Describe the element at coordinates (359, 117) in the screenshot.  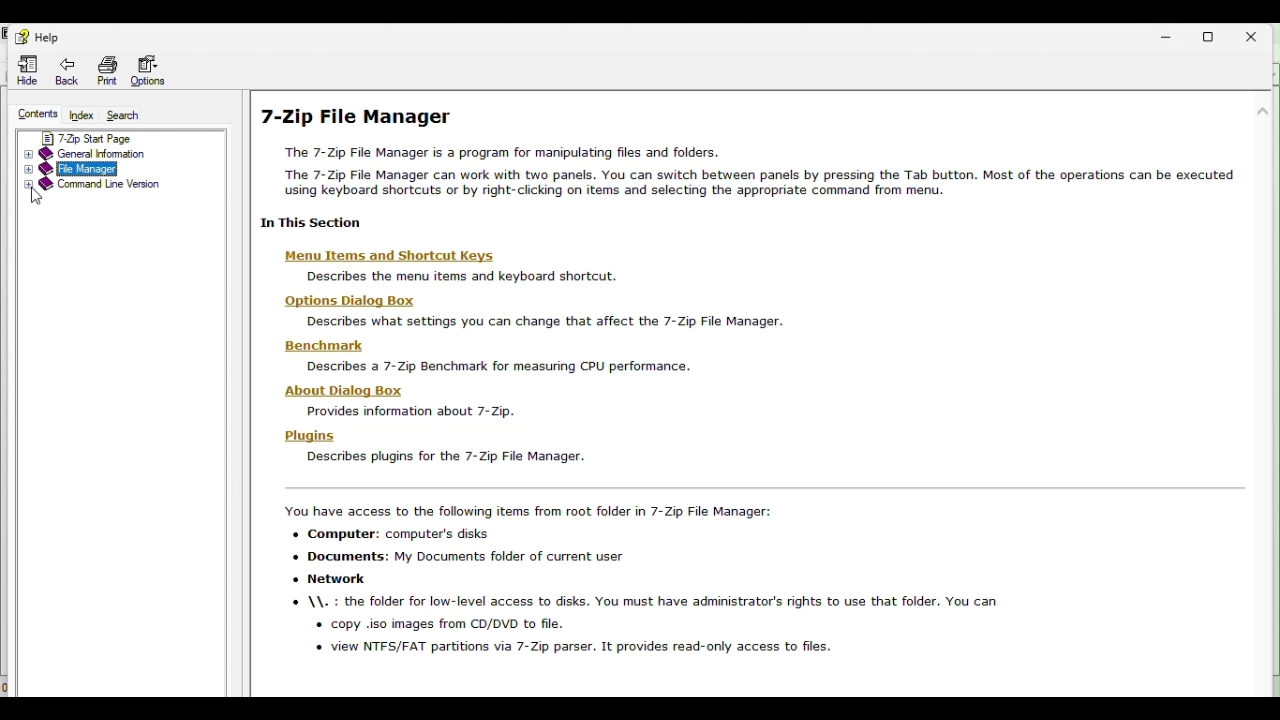
I see `7-Zip File Manager` at that location.